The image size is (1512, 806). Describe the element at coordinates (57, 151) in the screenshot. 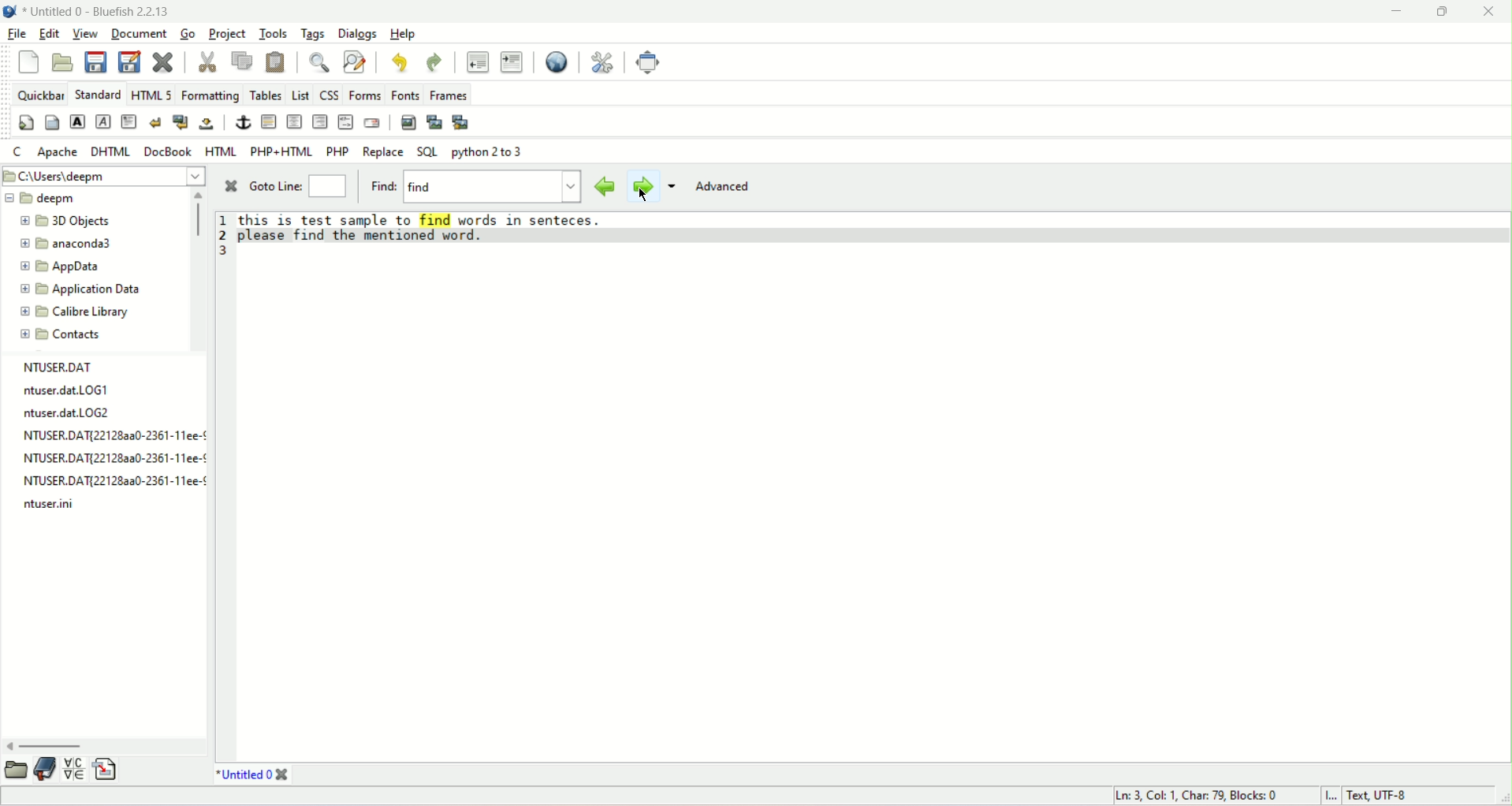

I see `Apache` at that location.